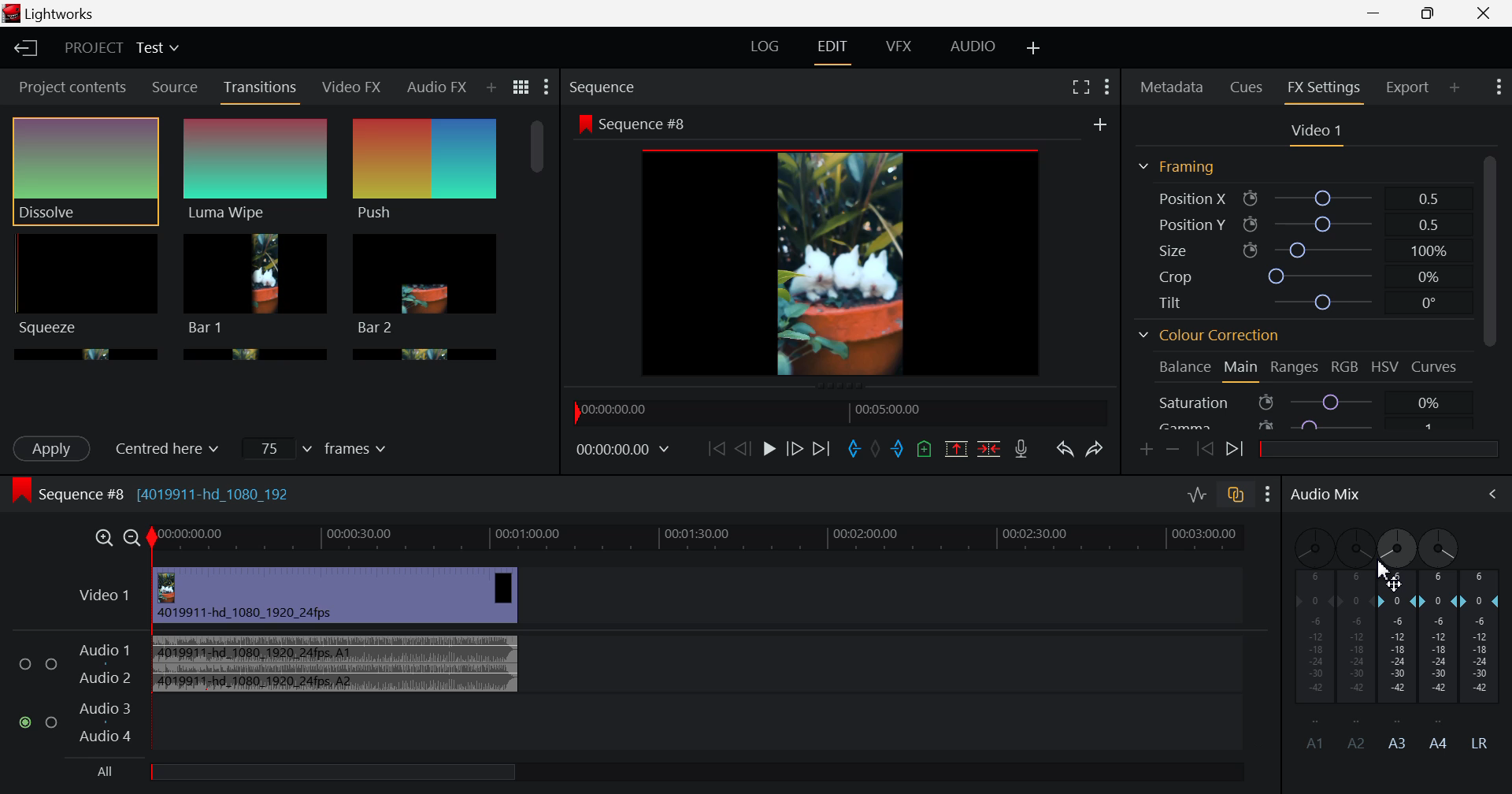  What do you see at coordinates (1441, 665) in the screenshot?
I see `A4 Channel Decibel Level` at bounding box center [1441, 665].